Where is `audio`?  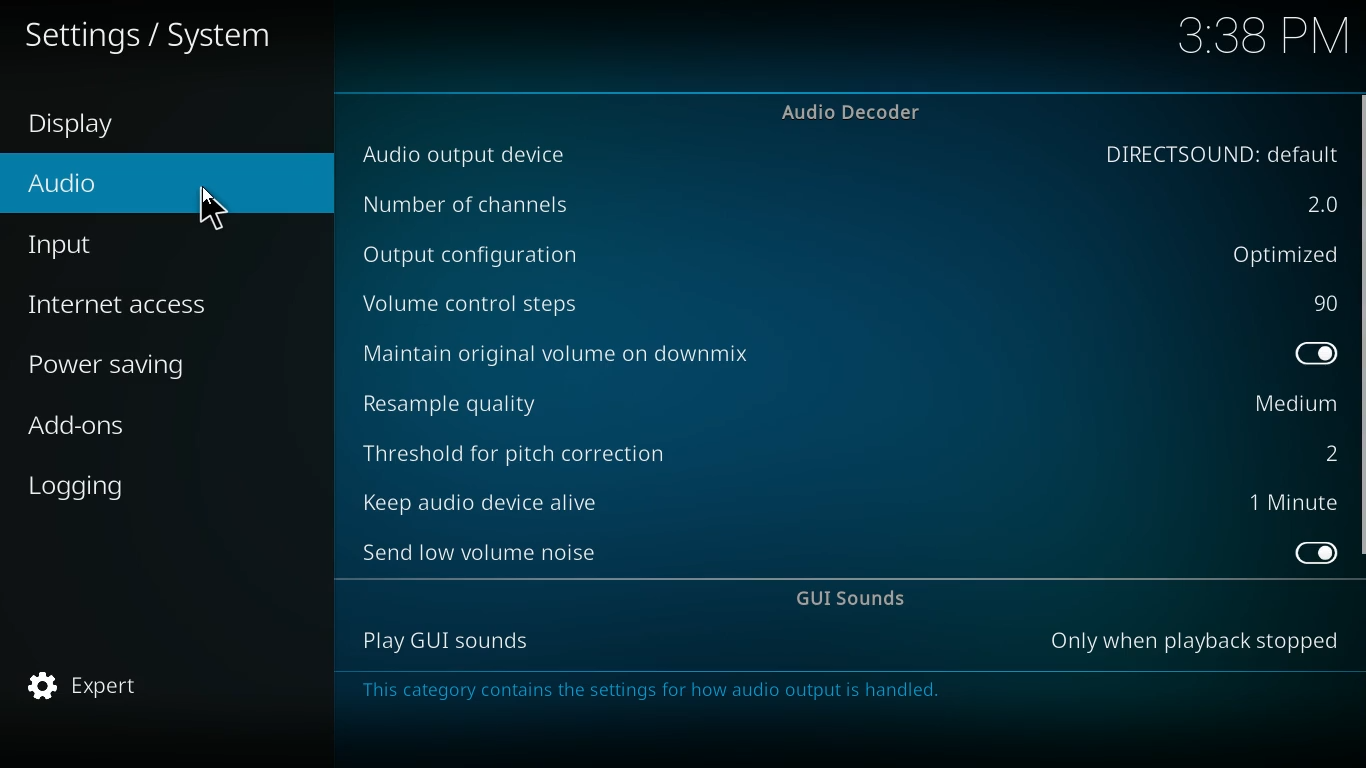
audio is located at coordinates (129, 190).